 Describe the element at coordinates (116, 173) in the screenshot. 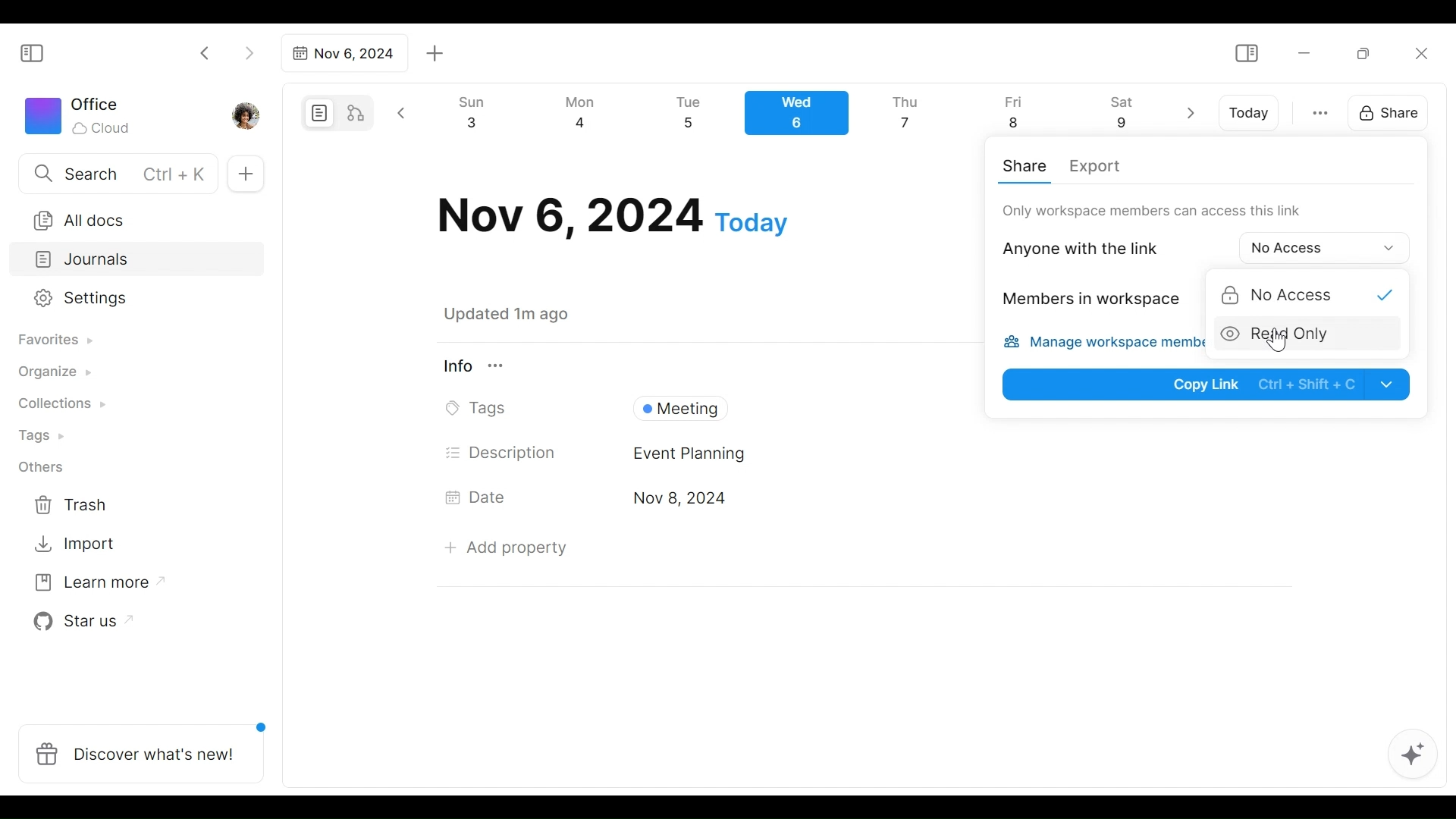

I see `Search` at that location.